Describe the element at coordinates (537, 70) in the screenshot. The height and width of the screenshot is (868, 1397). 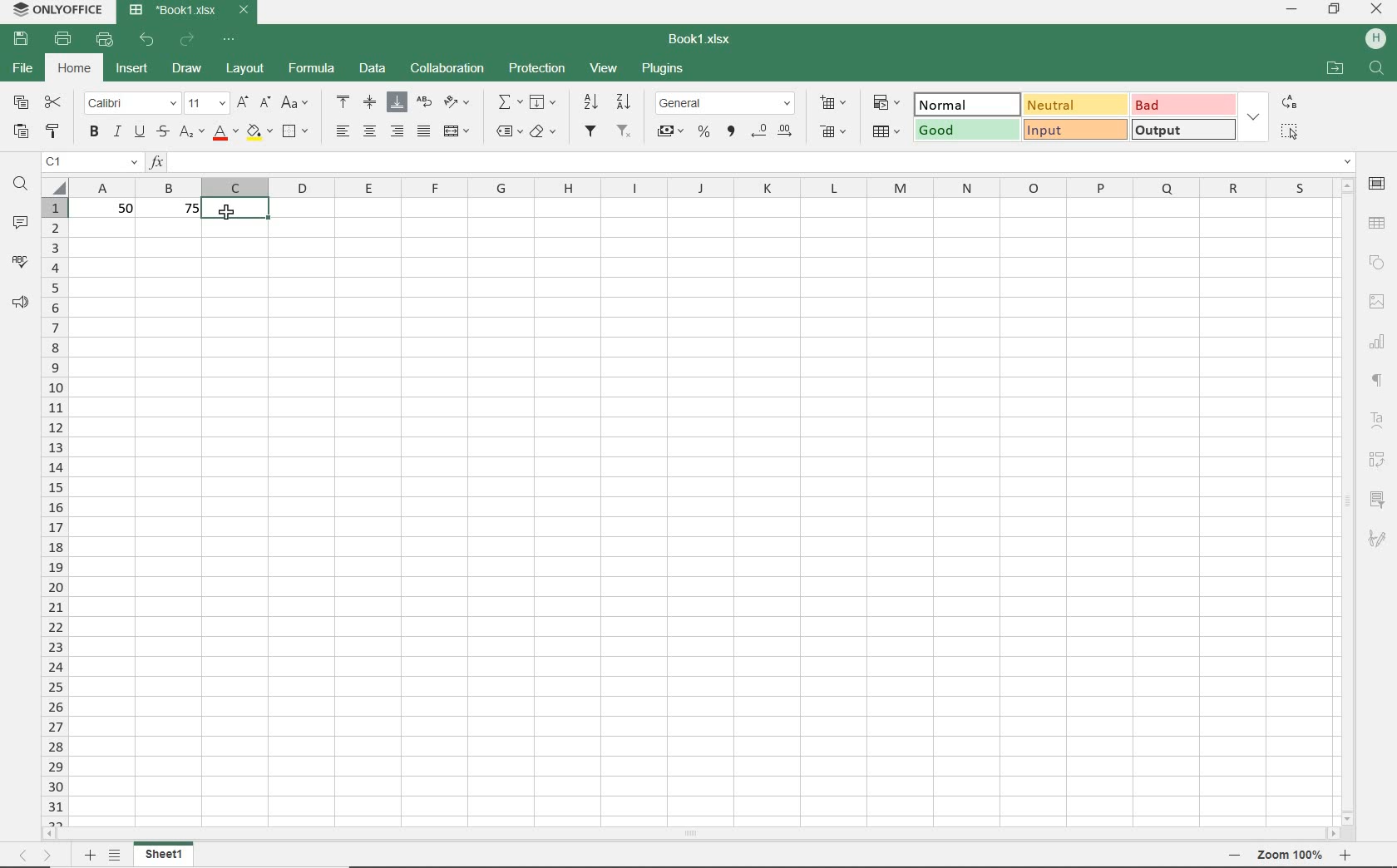
I see `protection` at that location.